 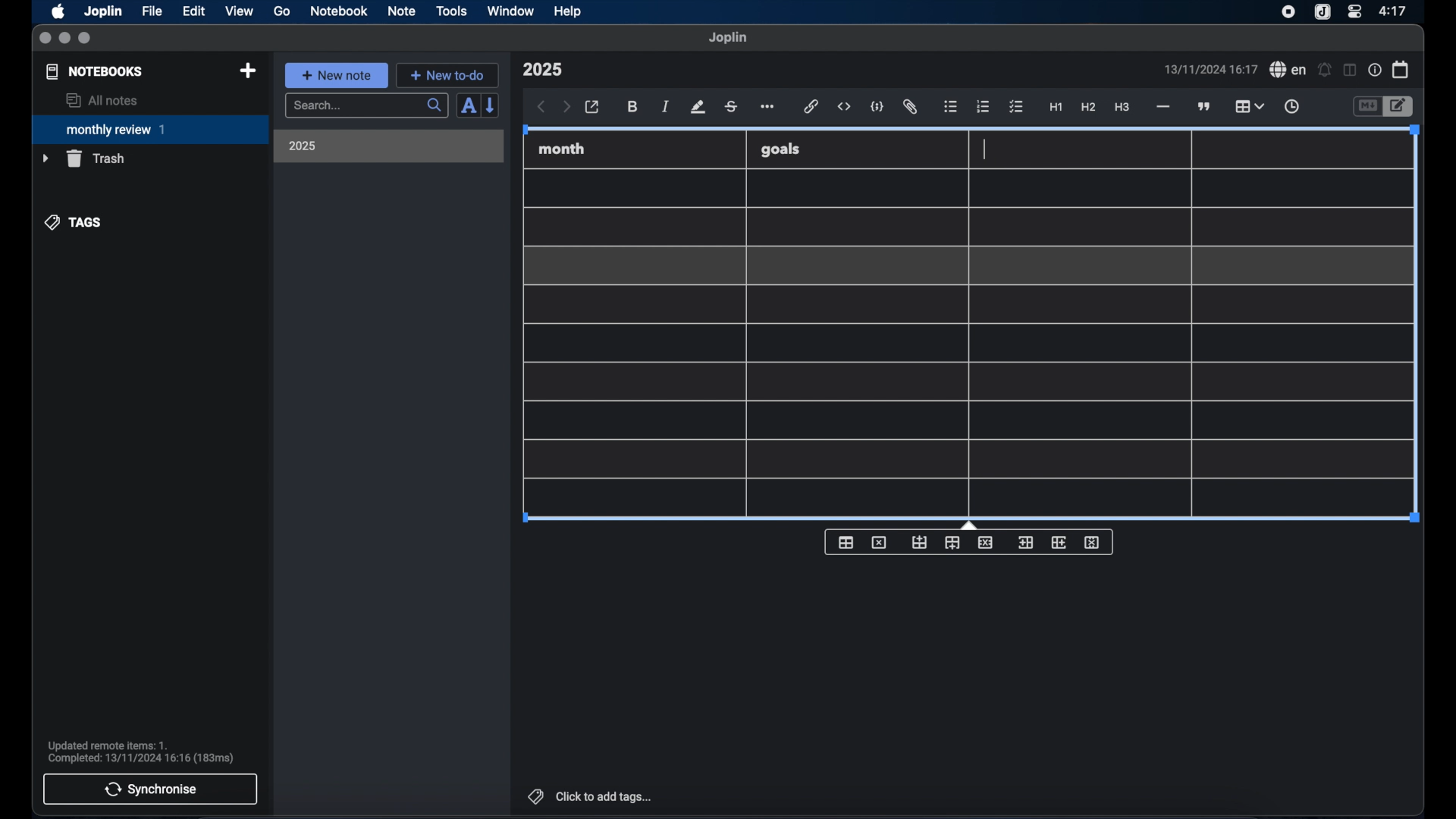 I want to click on hyperlink, so click(x=811, y=106).